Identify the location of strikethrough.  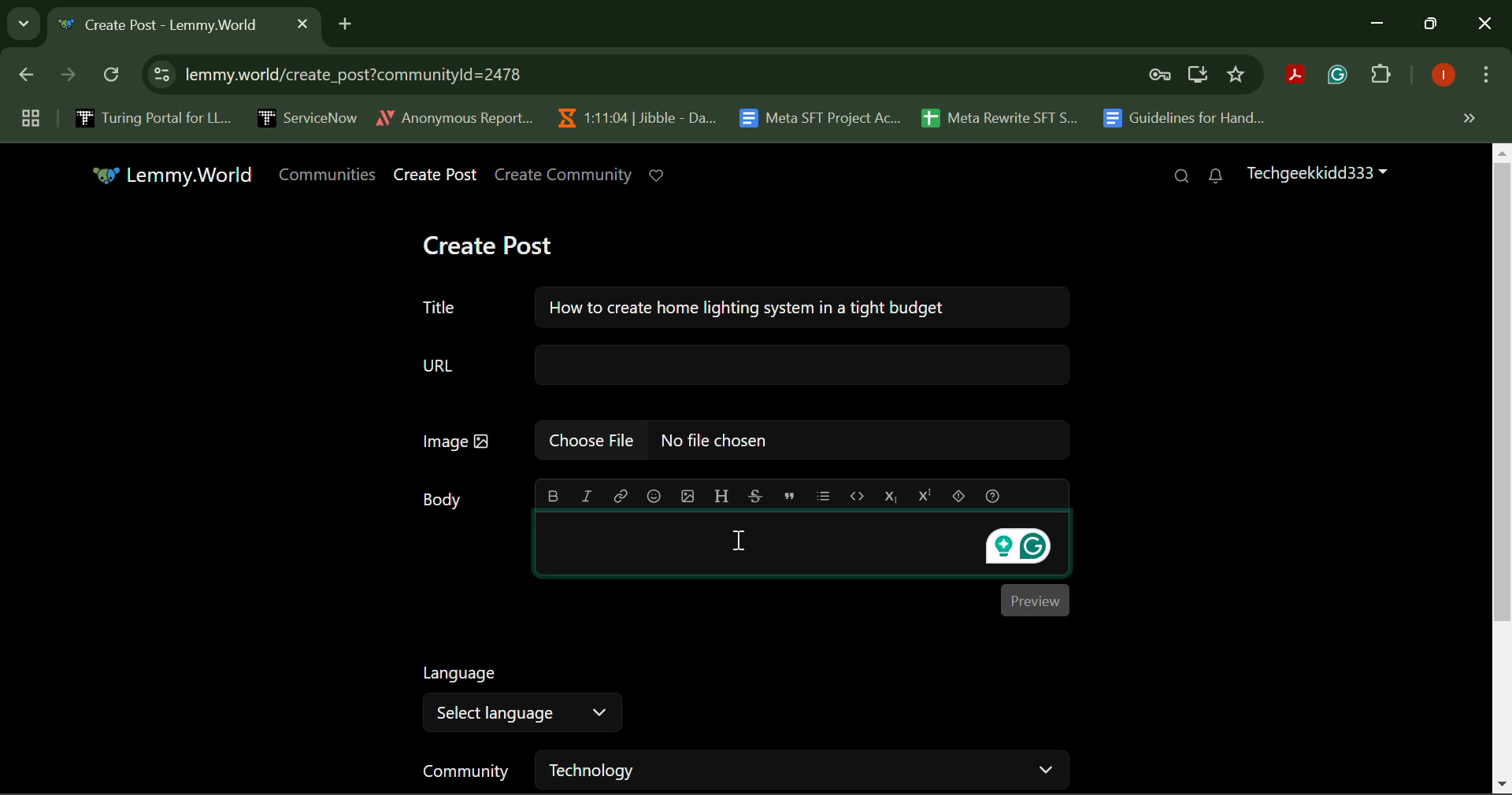
(757, 495).